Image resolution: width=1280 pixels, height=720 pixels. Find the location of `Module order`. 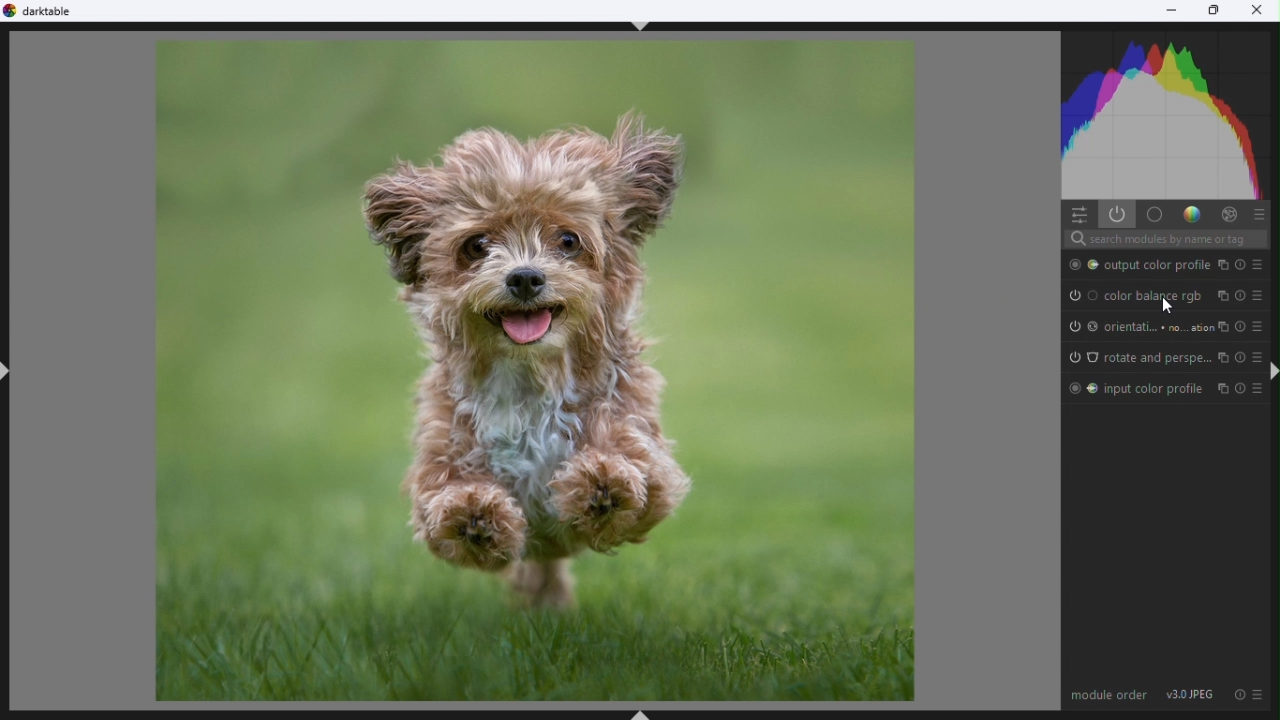

Module order is located at coordinates (1112, 695).